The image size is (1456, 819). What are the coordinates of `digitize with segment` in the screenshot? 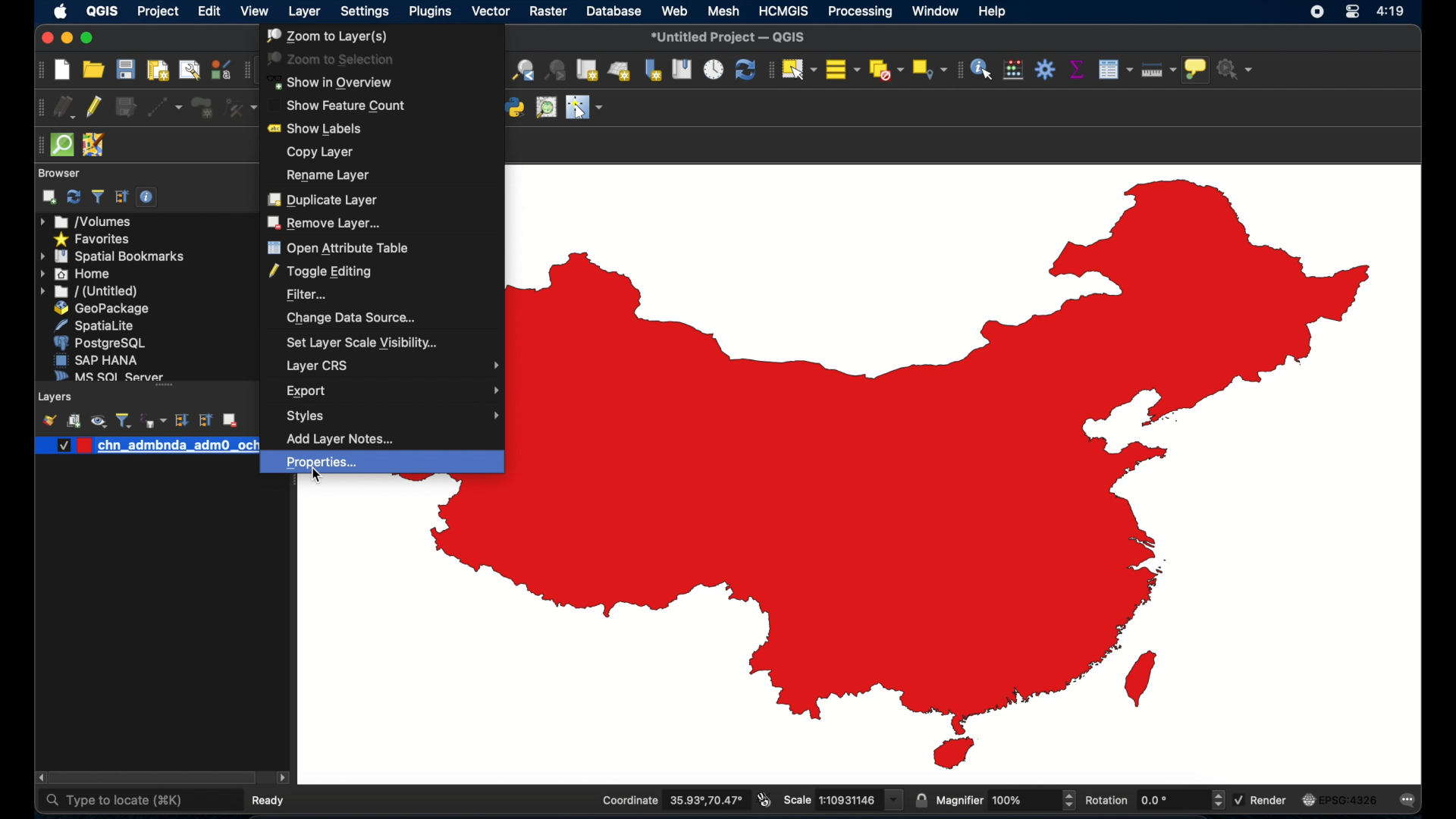 It's located at (165, 108).